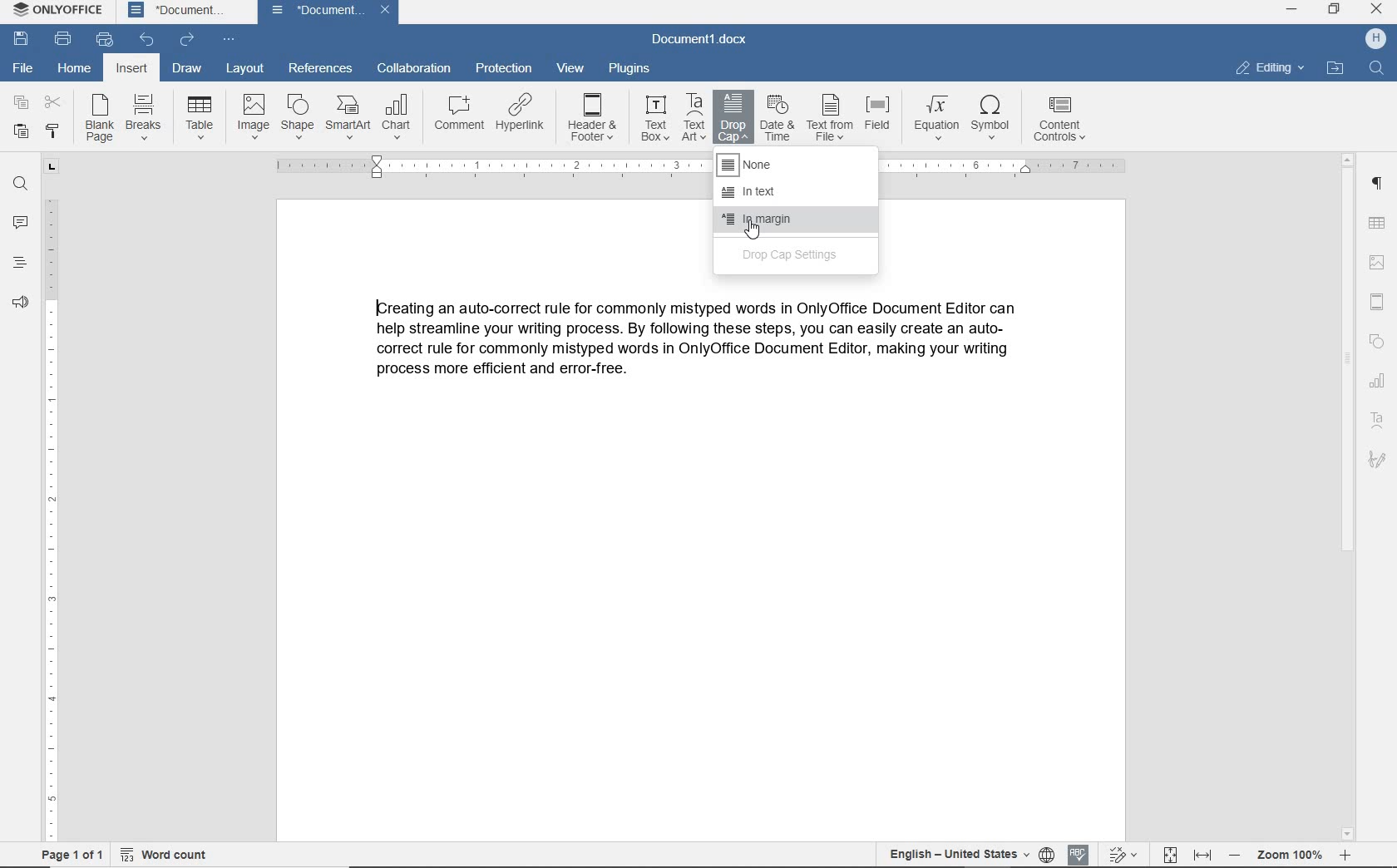  What do you see at coordinates (22, 133) in the screenshot?
I see `paste` at bounding box center [22, 133].